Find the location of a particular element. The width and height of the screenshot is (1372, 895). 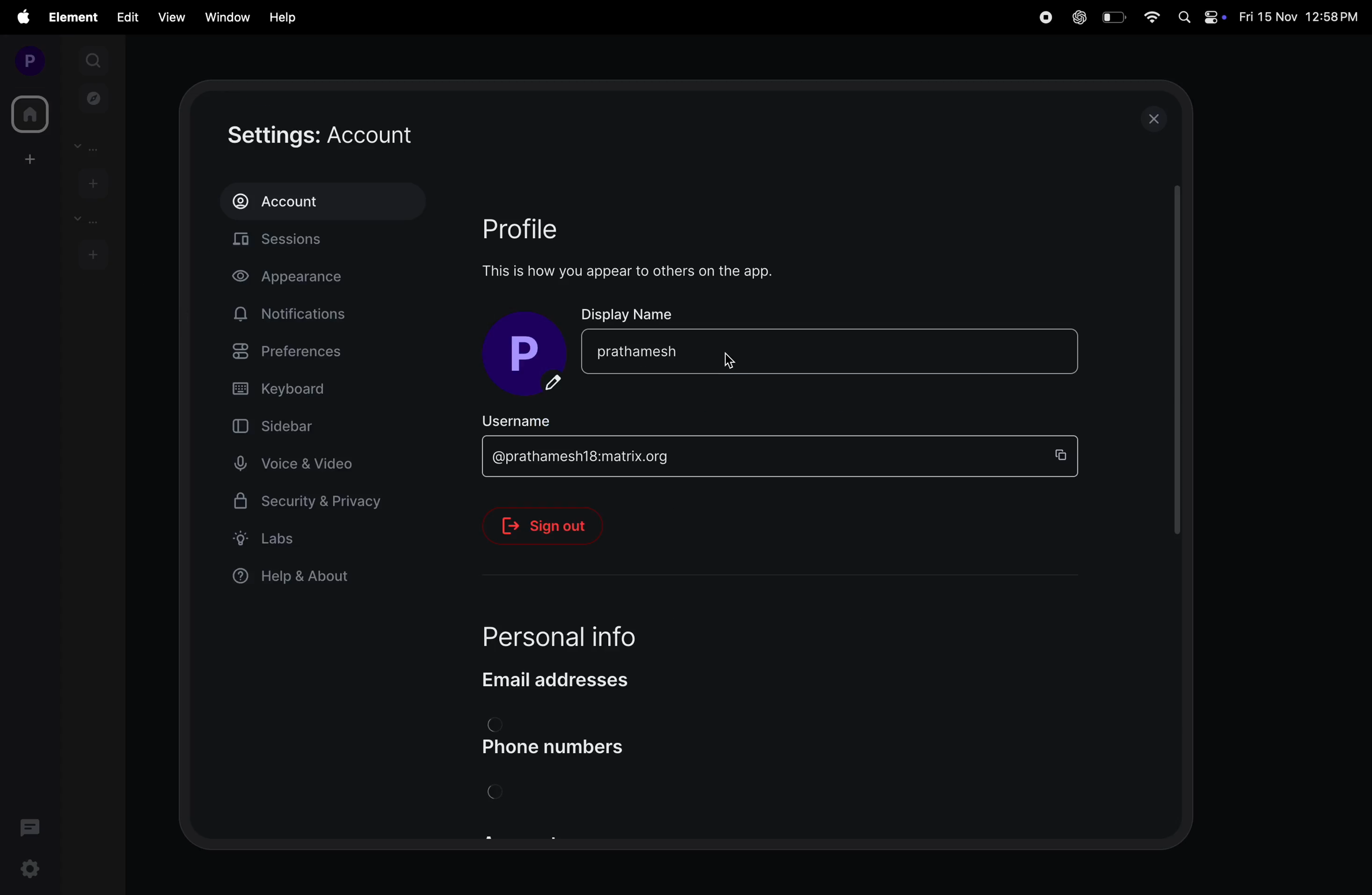

notifications is located at coordinates (295, 314).